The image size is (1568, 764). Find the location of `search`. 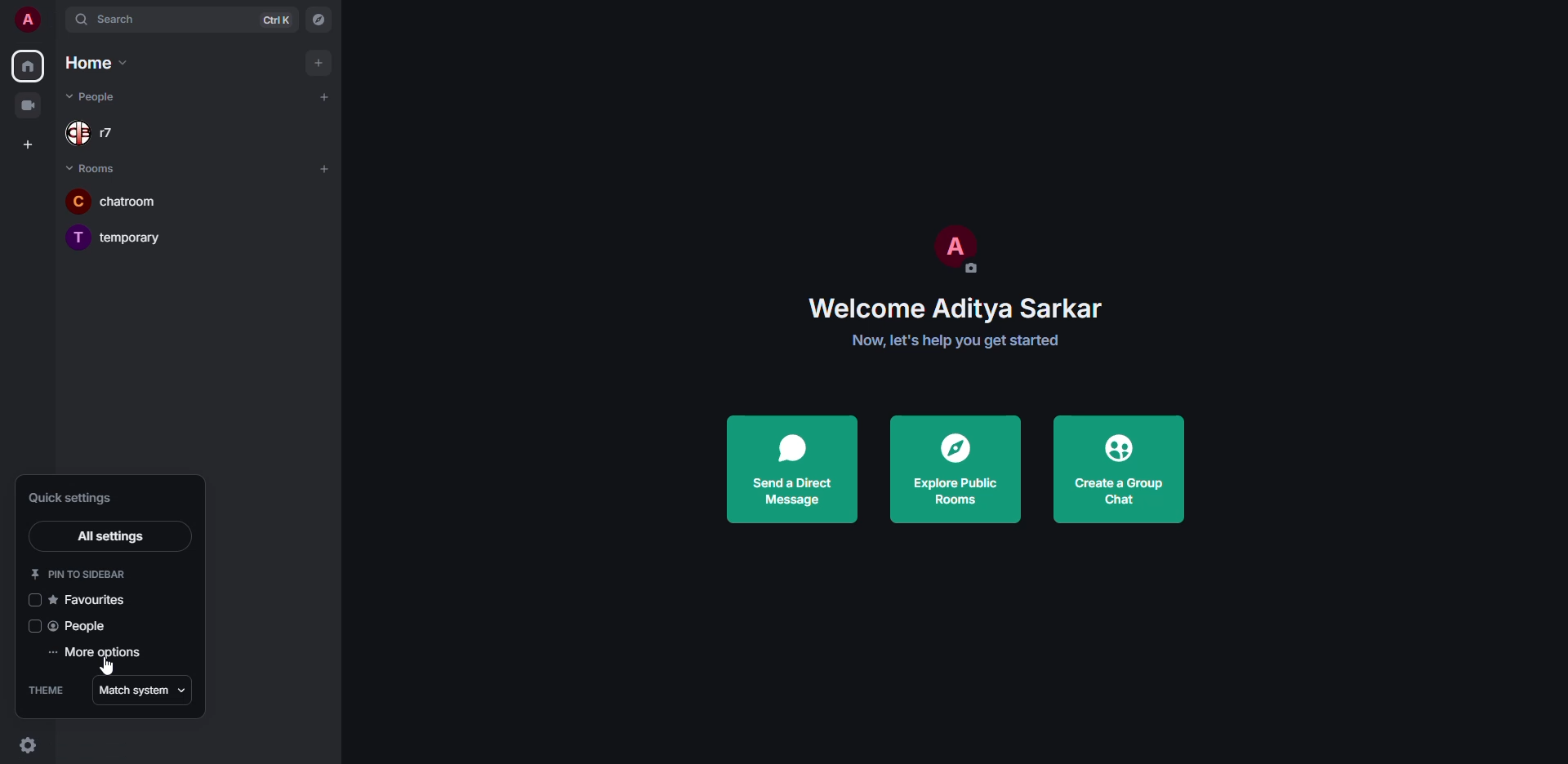

search is located at coordinates (127, 19).